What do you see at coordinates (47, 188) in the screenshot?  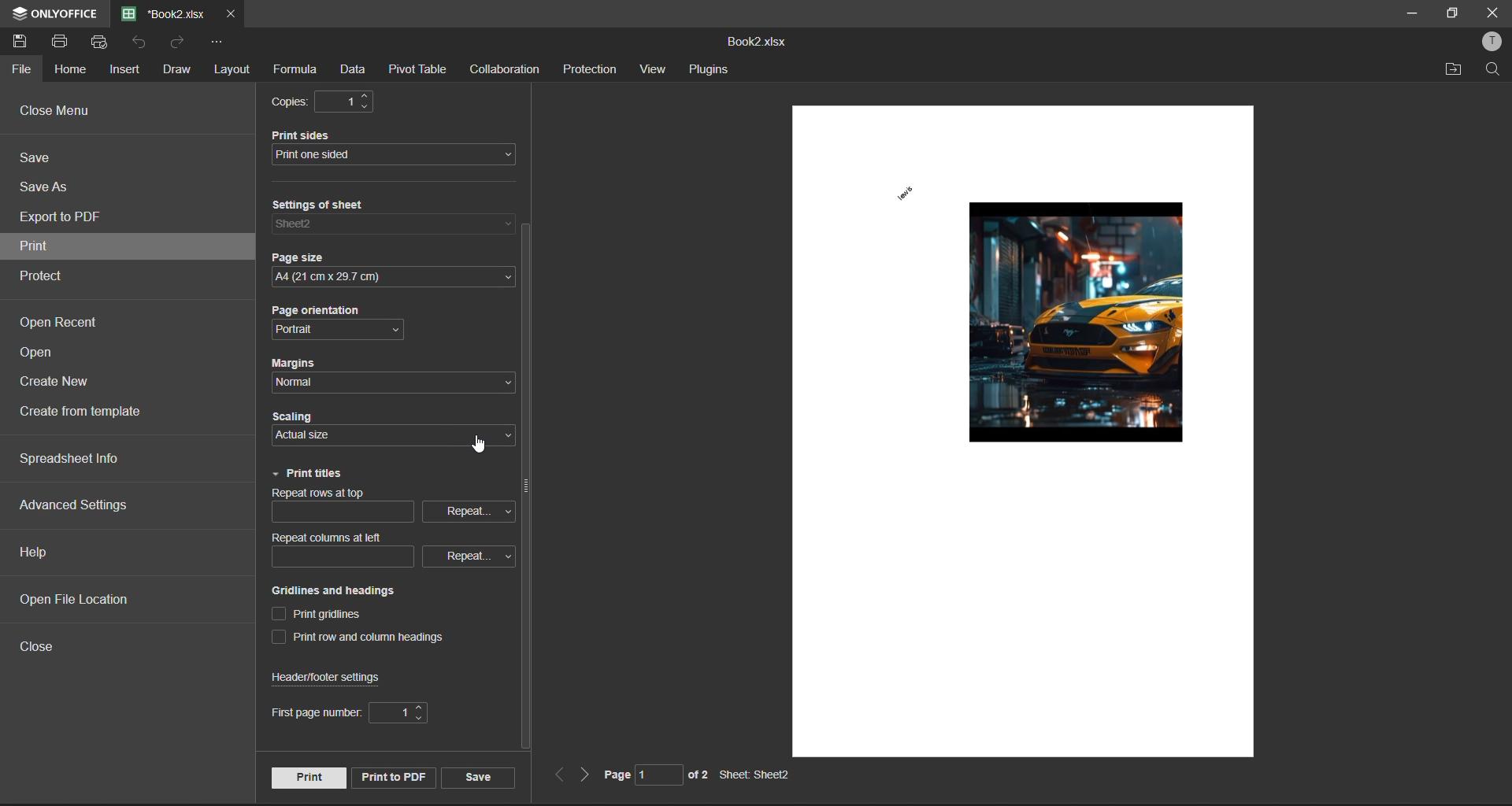 I see `save as` at bounding box center [47, 188].